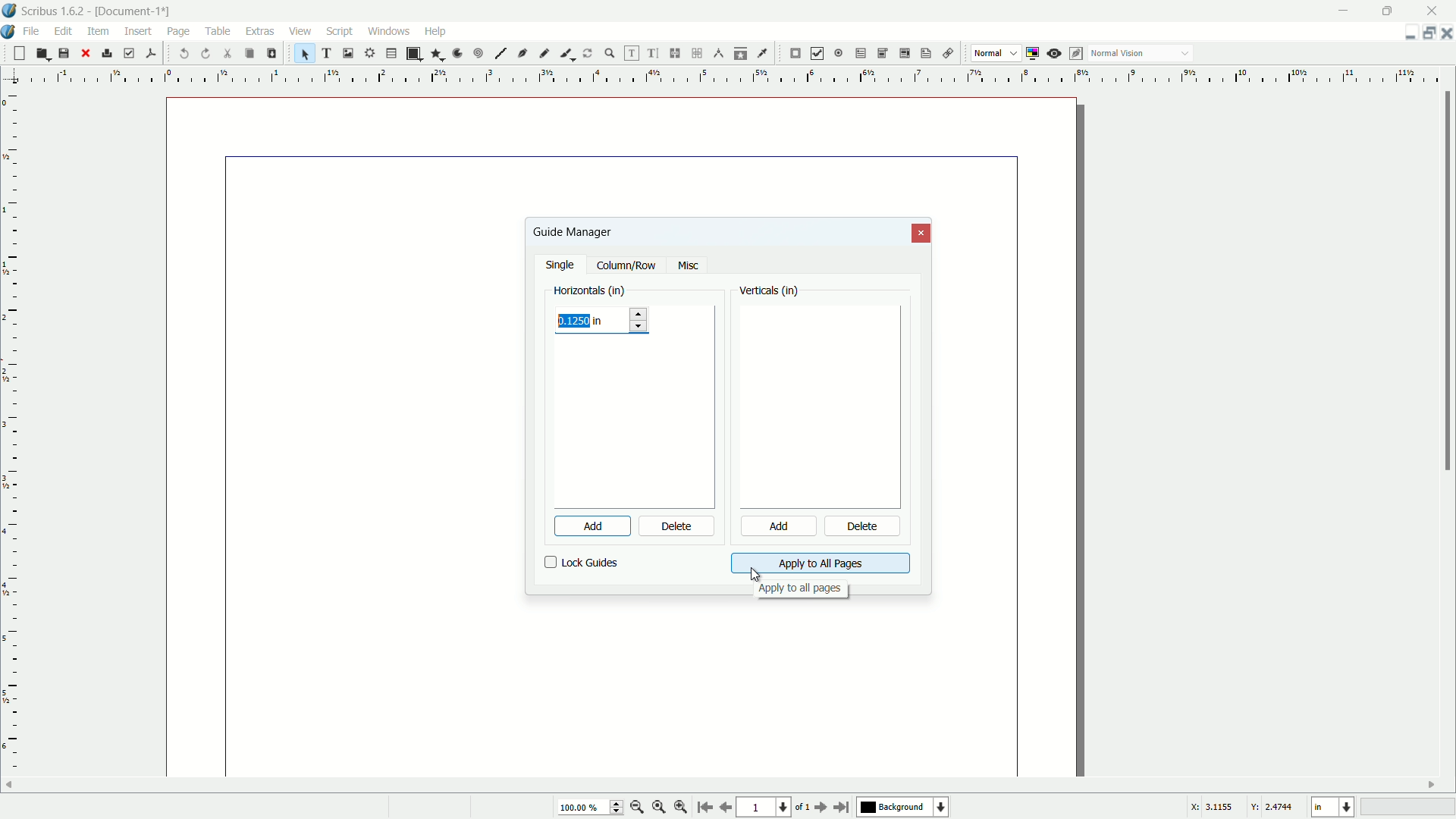  I want to click on script menu, so click(341, 31).